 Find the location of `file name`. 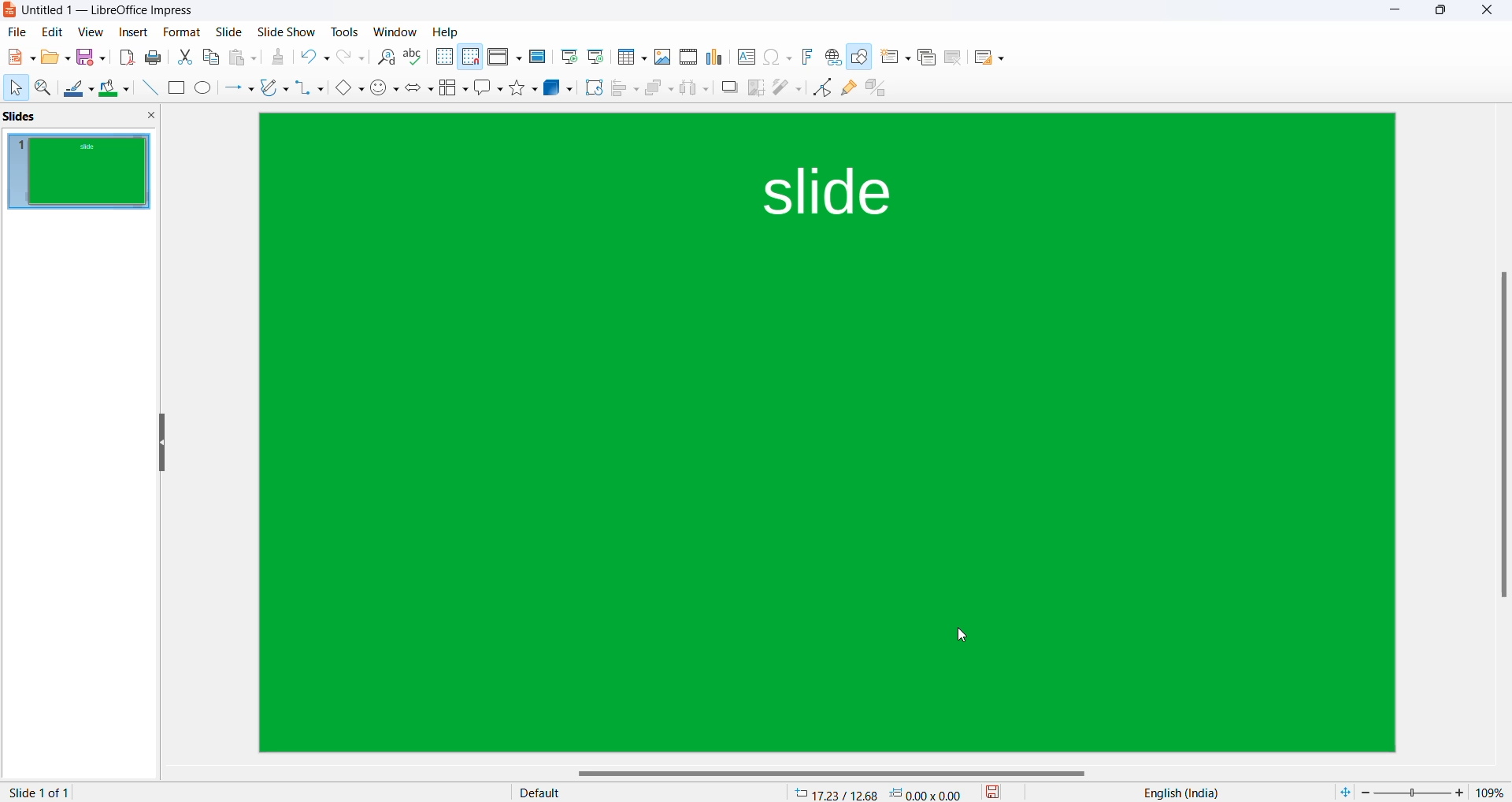

file name is located at coordinates (103, 12).